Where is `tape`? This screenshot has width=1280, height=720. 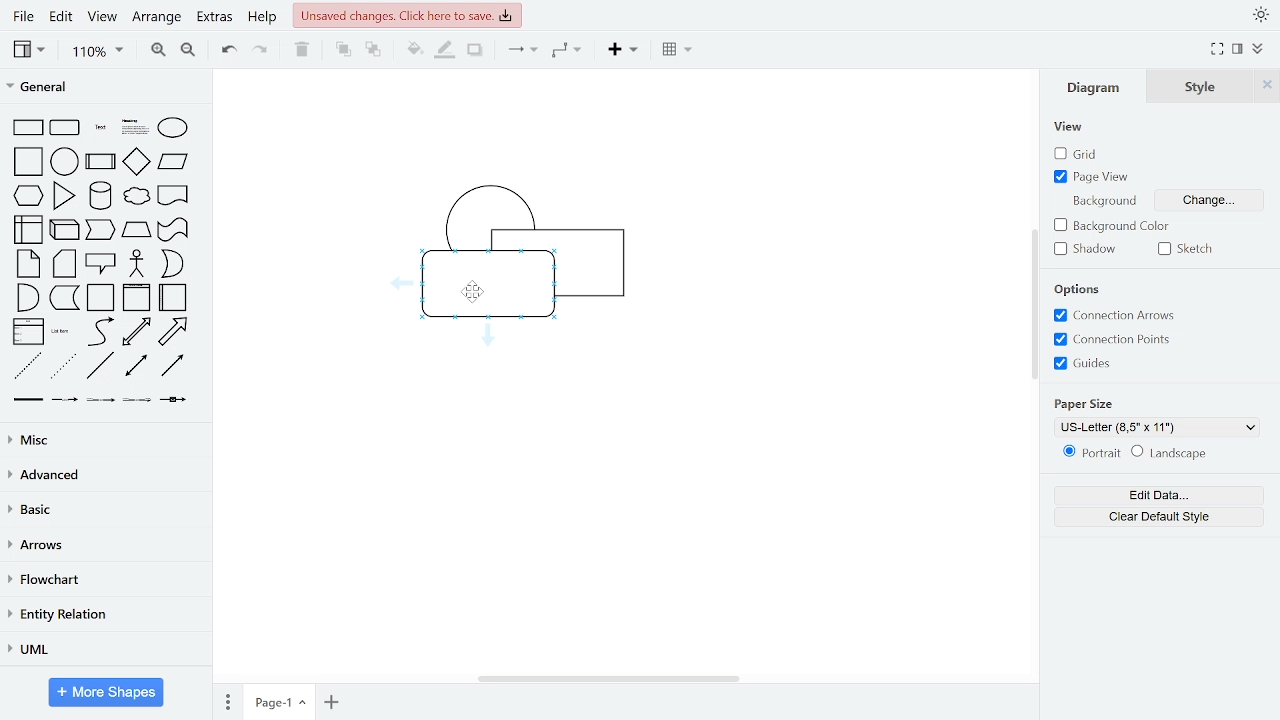
tape is located at coordinates (173, 231).